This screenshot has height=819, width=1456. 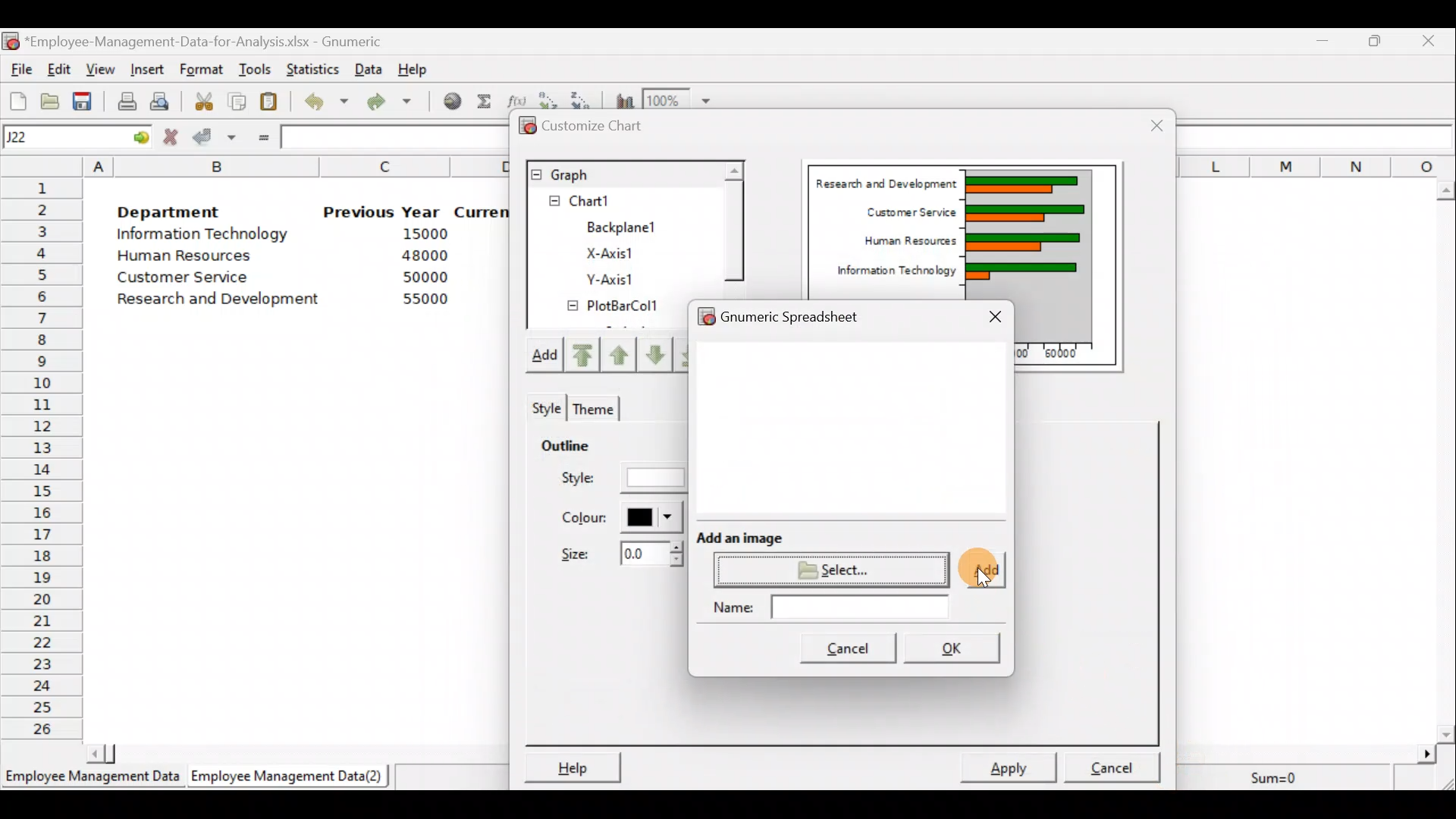 I want to click on Graph, so click(x=623, y=173).